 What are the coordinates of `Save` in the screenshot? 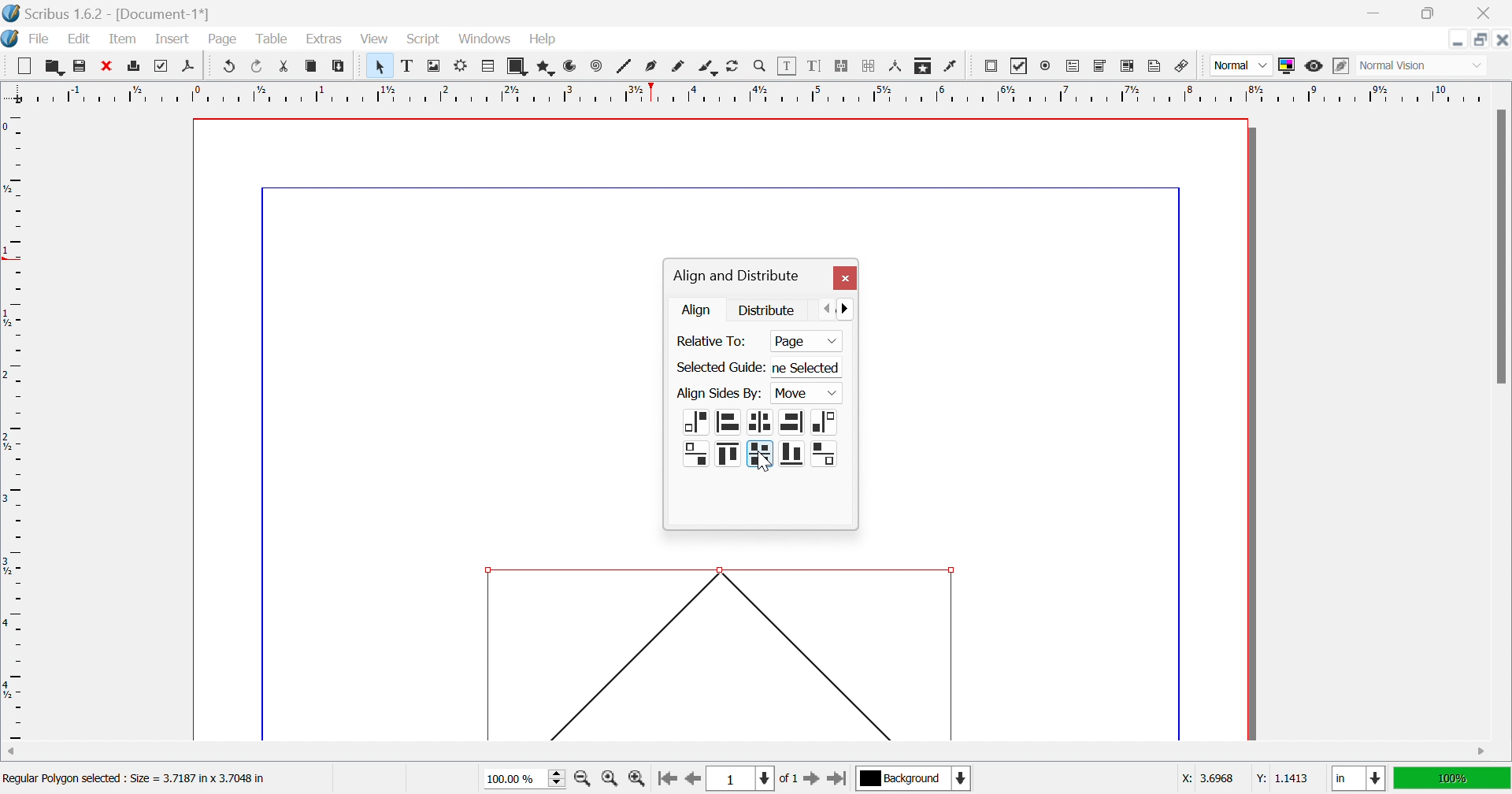 It's located at (76, 64).